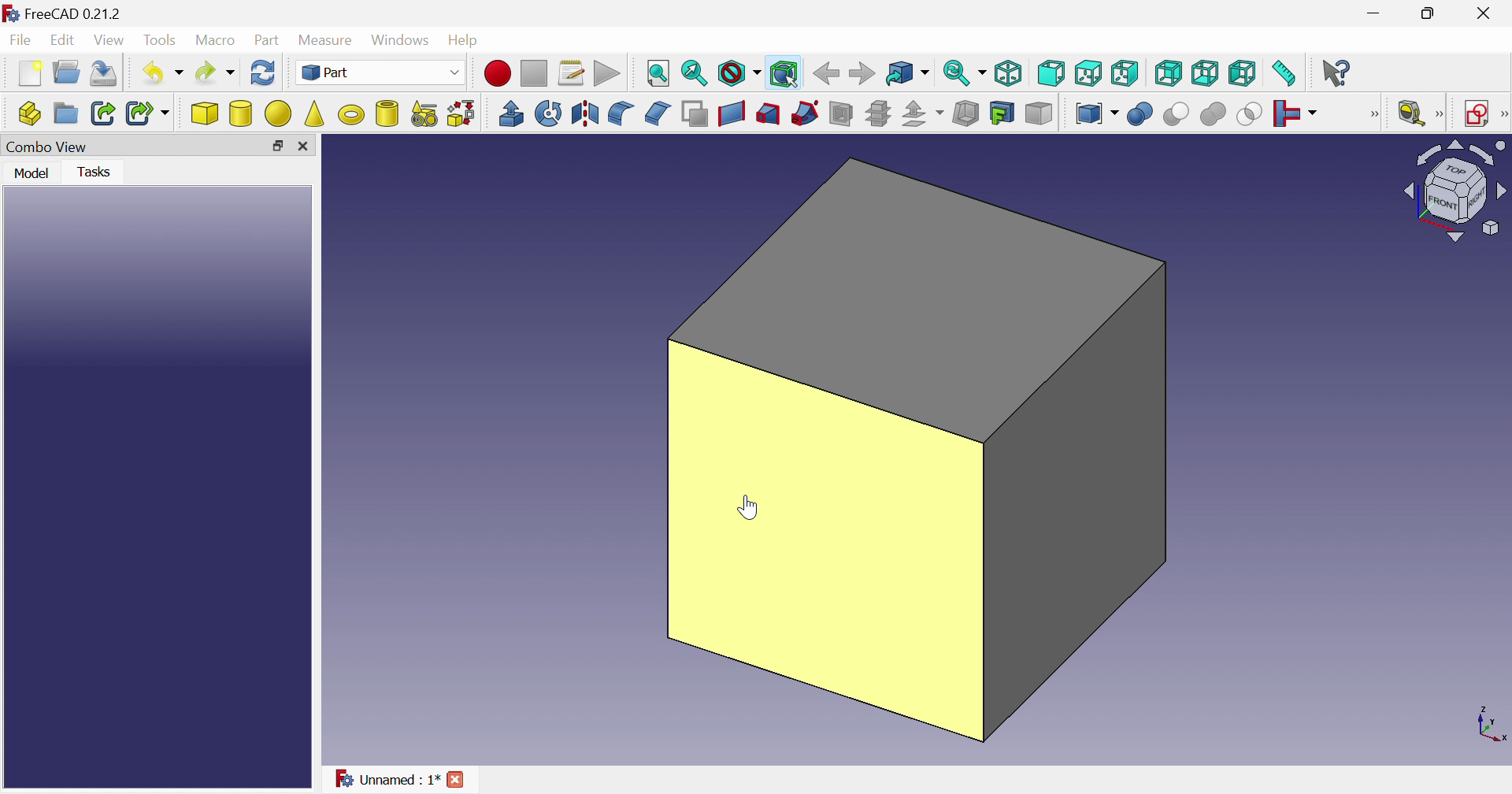 The image size is (1512, 794). What do you see at coordinates (1435, 13) in the screenshot?
I see `Restore down` at bounding box center [1435, 13].